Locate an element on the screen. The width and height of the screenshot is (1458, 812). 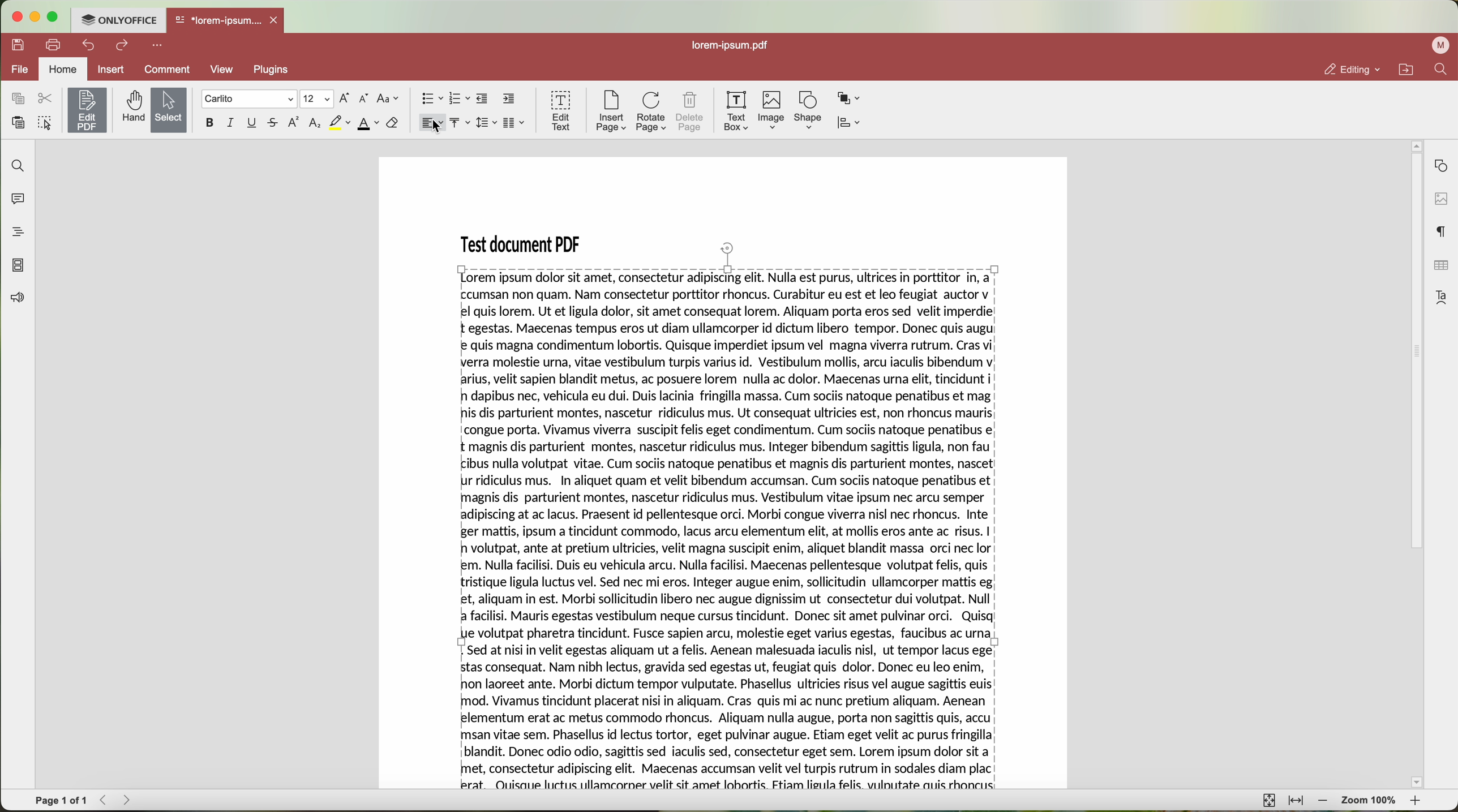
scroll bar is located at coordinates (1412, 467).